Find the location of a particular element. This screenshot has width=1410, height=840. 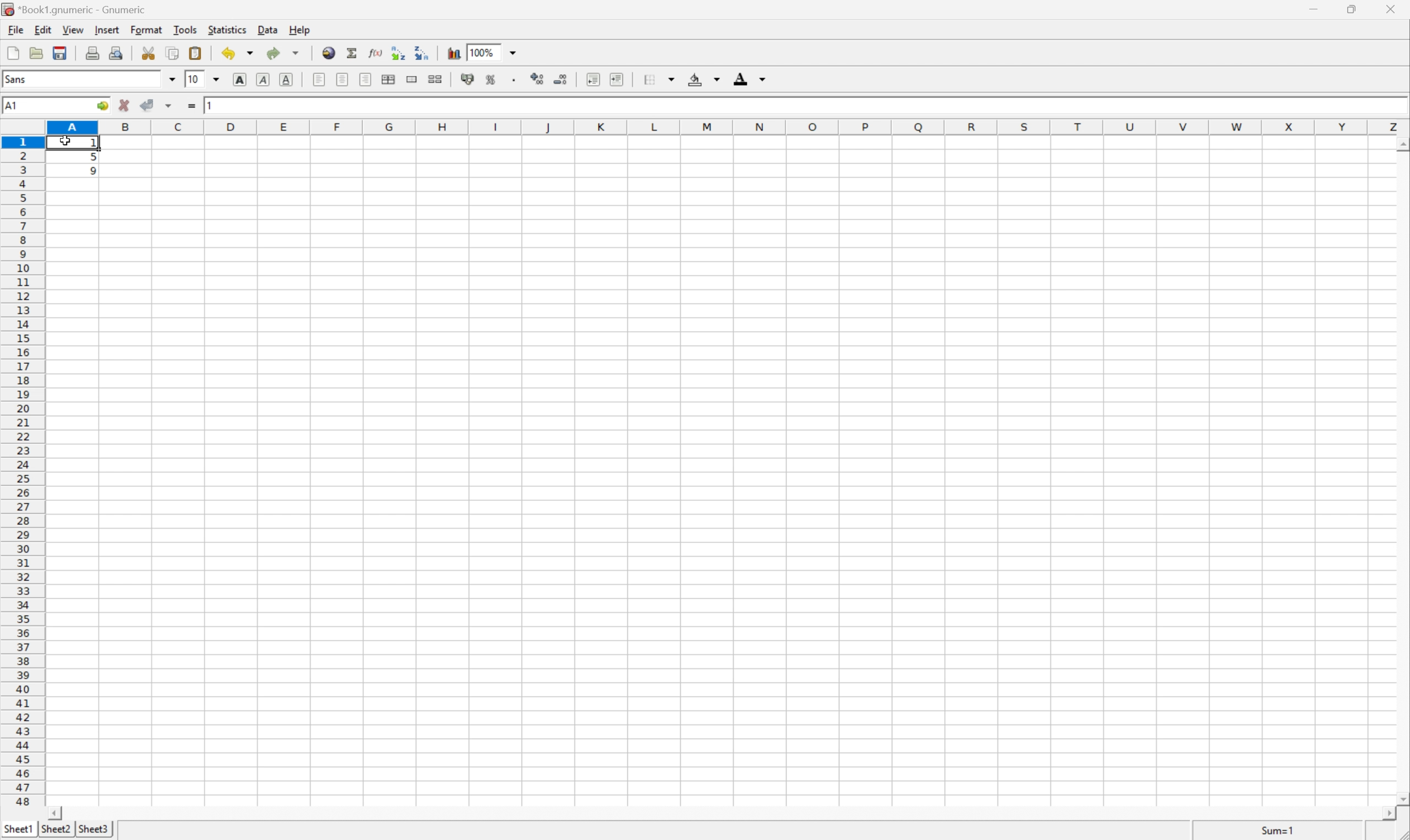

accept changes is located at coordinates (148, 104).